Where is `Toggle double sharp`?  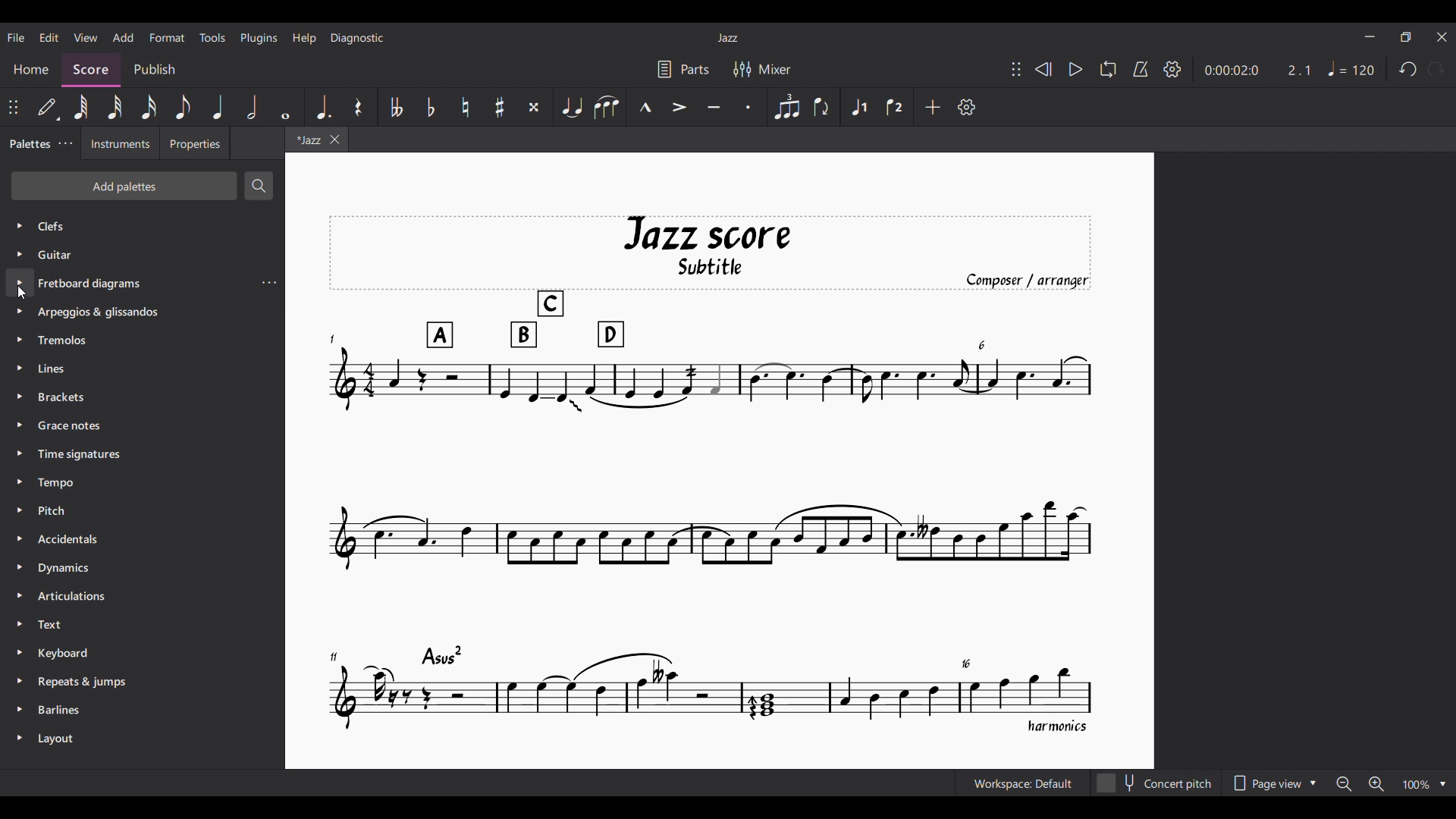 Toggle double sharp is located at coordinates (535, 107).